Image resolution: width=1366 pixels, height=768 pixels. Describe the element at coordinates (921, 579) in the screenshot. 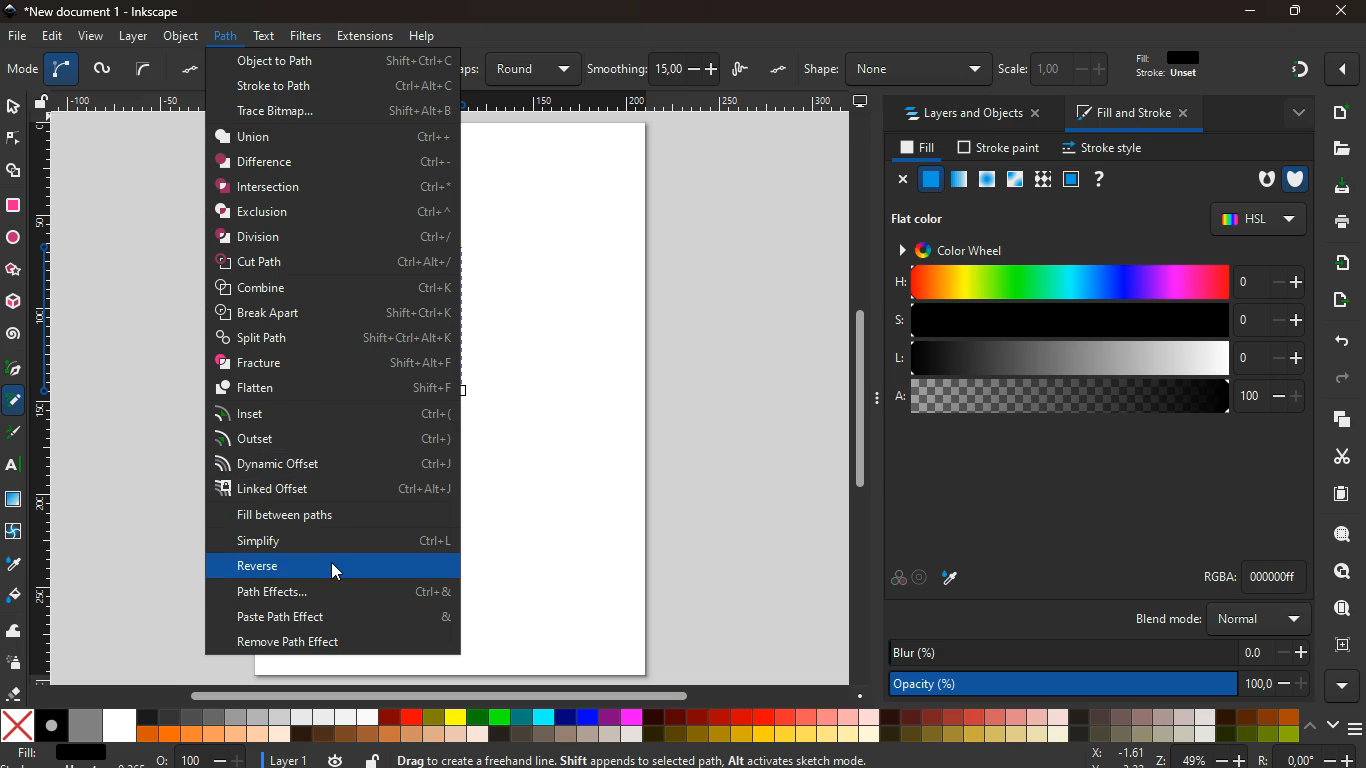

I see `aim` at that location.